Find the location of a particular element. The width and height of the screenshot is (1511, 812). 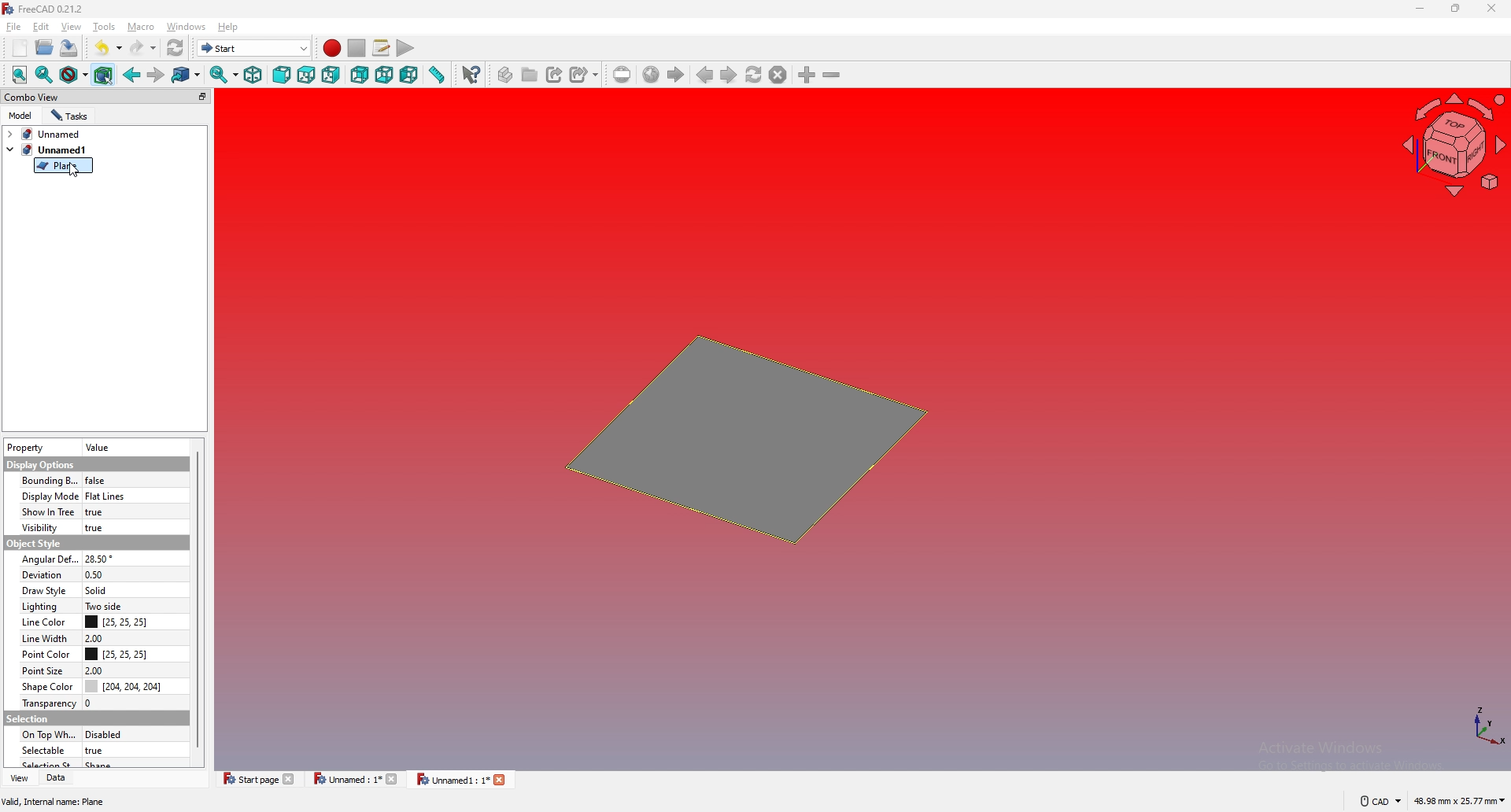

on top when selected is located at coordinates (49, 735).